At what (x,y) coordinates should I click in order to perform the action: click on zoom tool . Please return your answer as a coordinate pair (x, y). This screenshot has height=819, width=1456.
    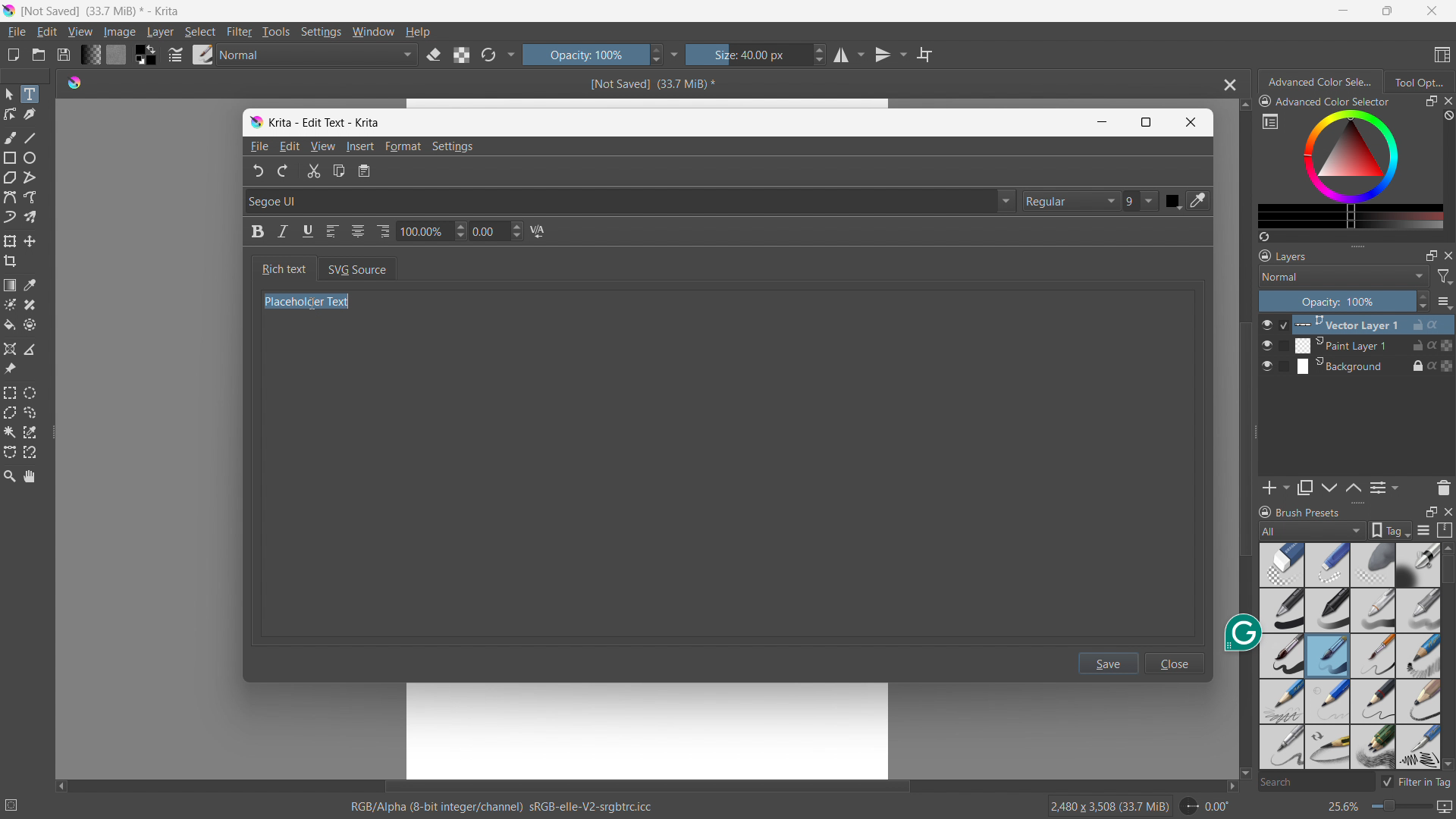
    Looking at the image, I should click on (9, 475).